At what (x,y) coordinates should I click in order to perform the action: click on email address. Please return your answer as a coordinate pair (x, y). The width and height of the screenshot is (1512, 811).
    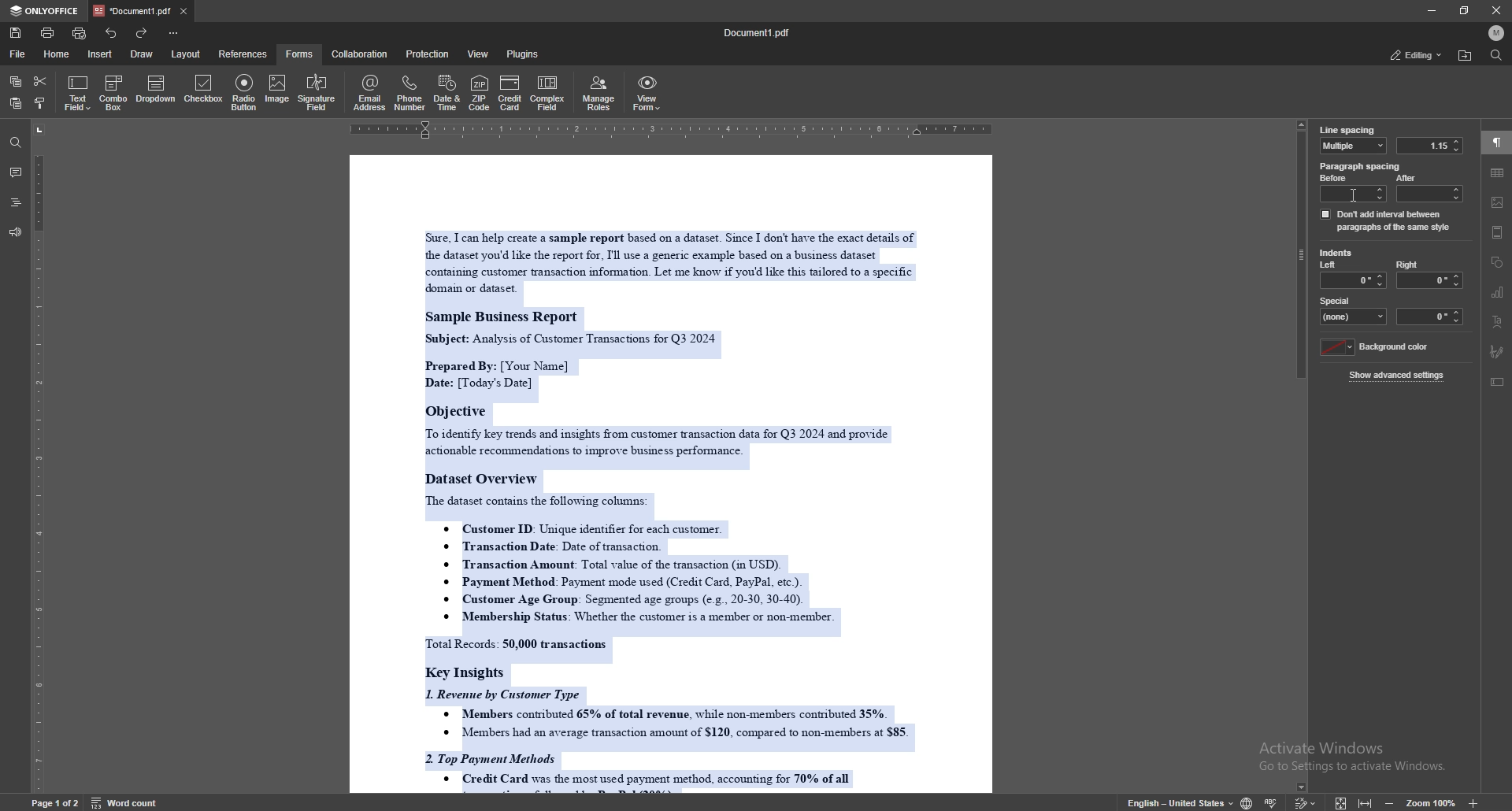
    Looking at the image, I should click on (370, 92).